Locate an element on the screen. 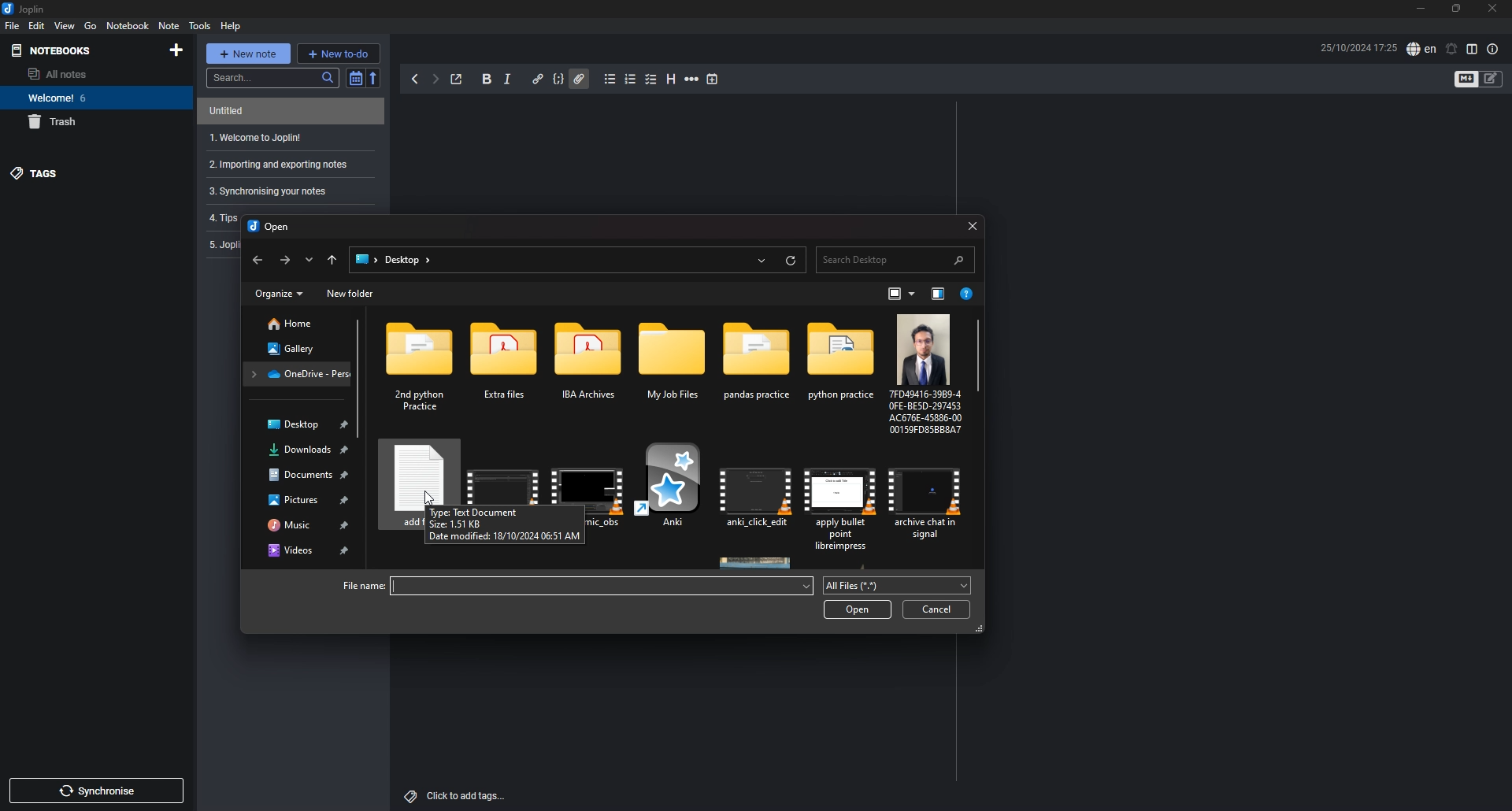 The image size is (1512, 811). notebooks is located at coordinates (77, 50).